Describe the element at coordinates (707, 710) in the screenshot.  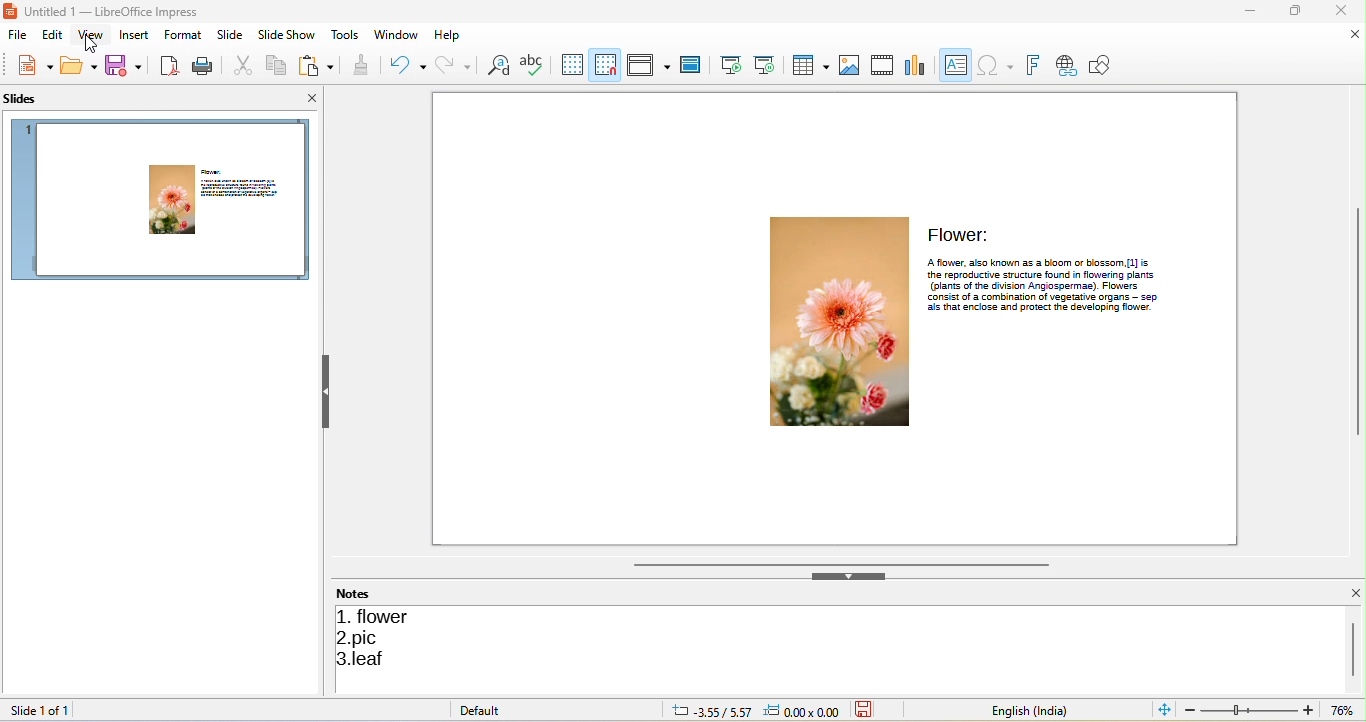
I see `-3.55/5.57` at that location.